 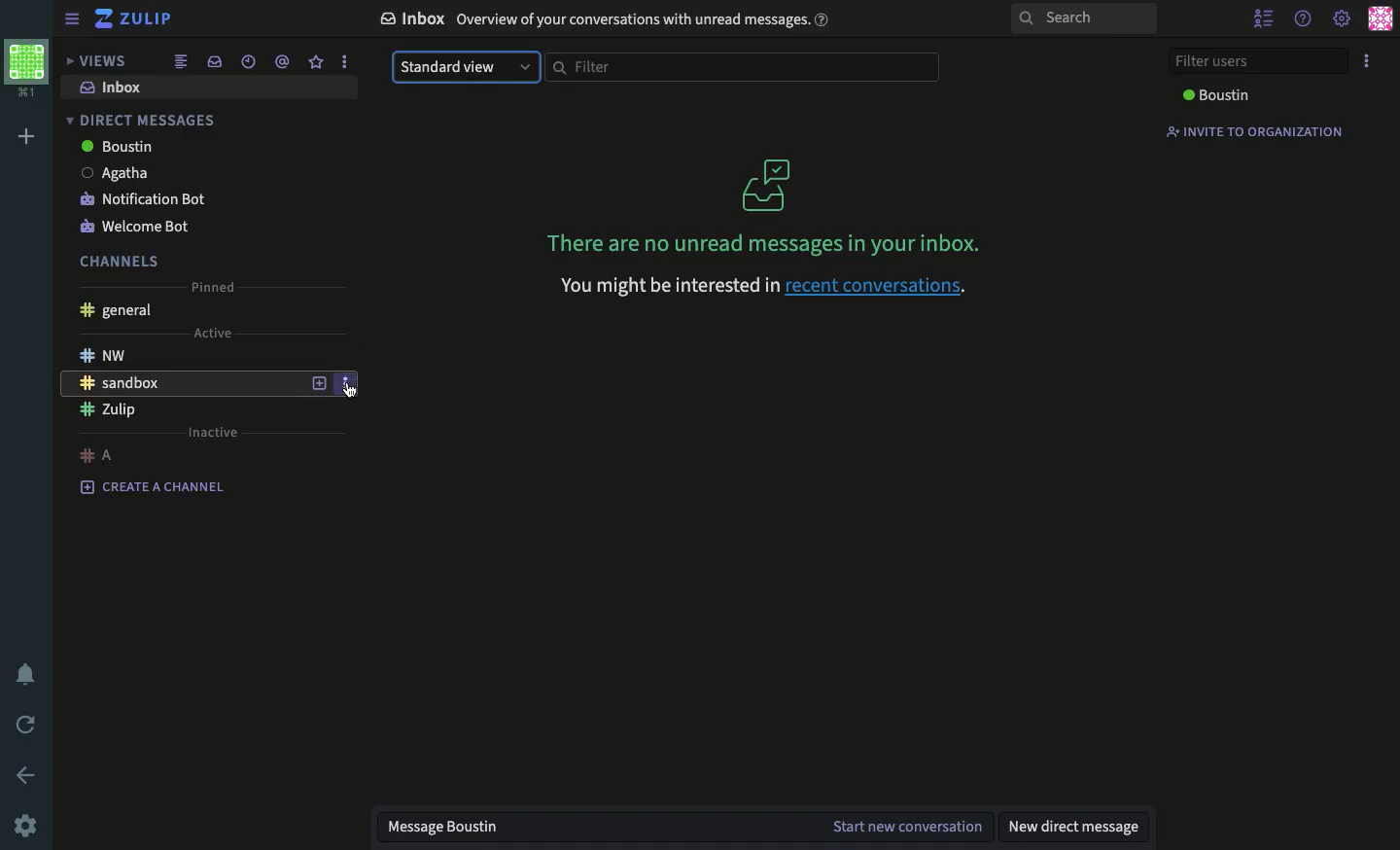 I want to click on filter, so click(x=742, y=69).